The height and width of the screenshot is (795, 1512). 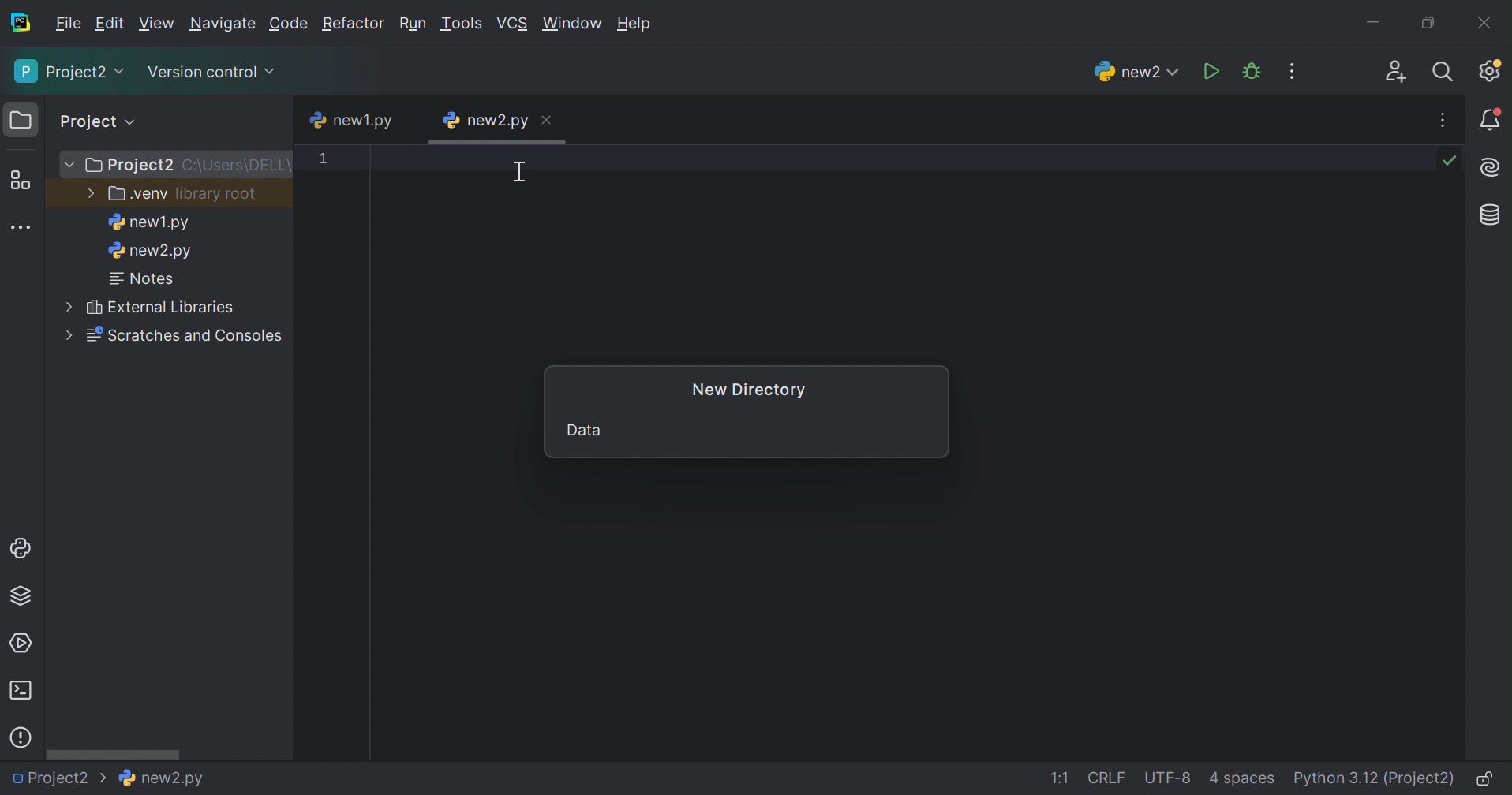 What do you see at coordinates (1375, 778) in the screenshot?
I see `Python 3.12 (Project)` at bounding box center [1375, 778].